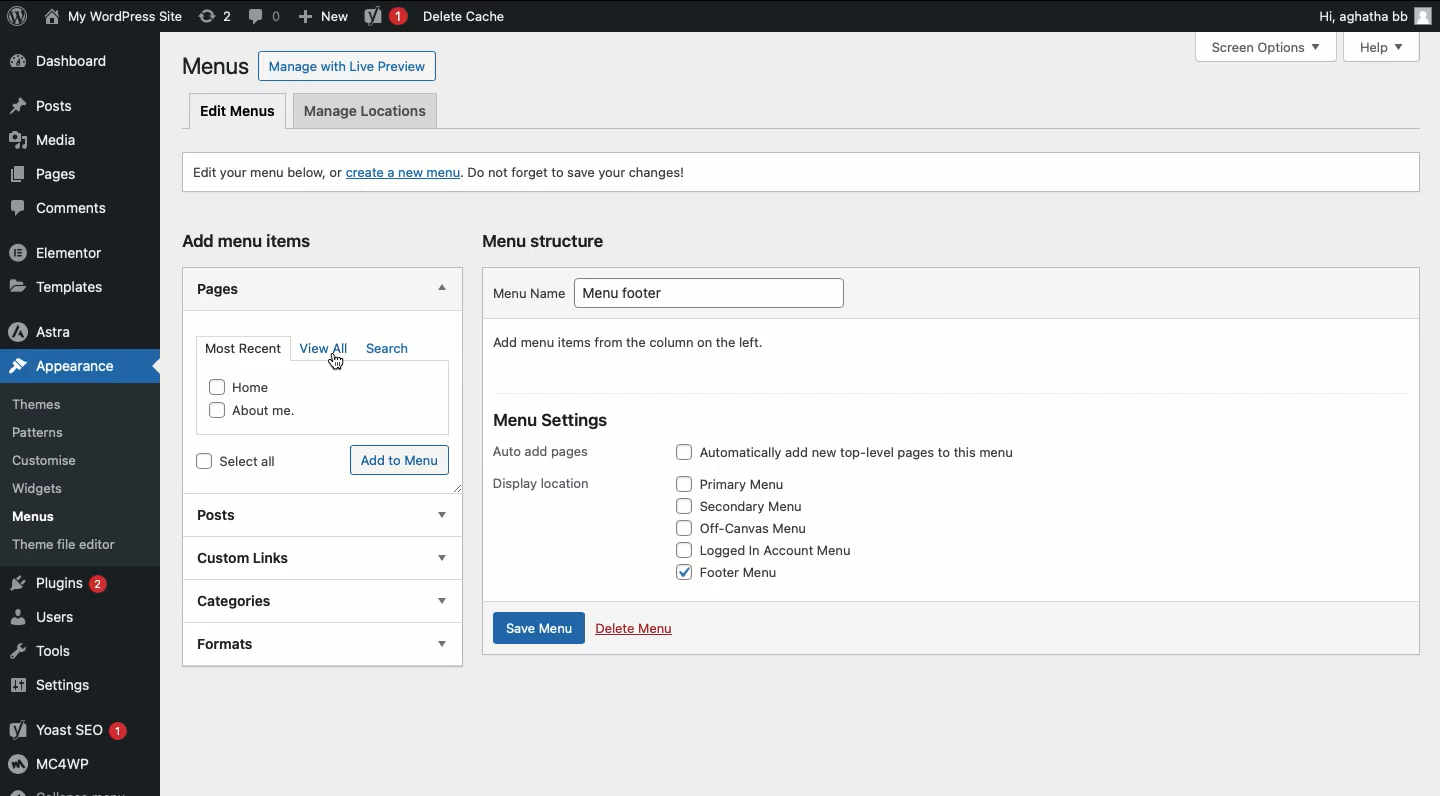  What do you see at coordinates (1358, 19) in the screenshot?
I see `Hi, agatha bb` at bounding box center [1358, 19].